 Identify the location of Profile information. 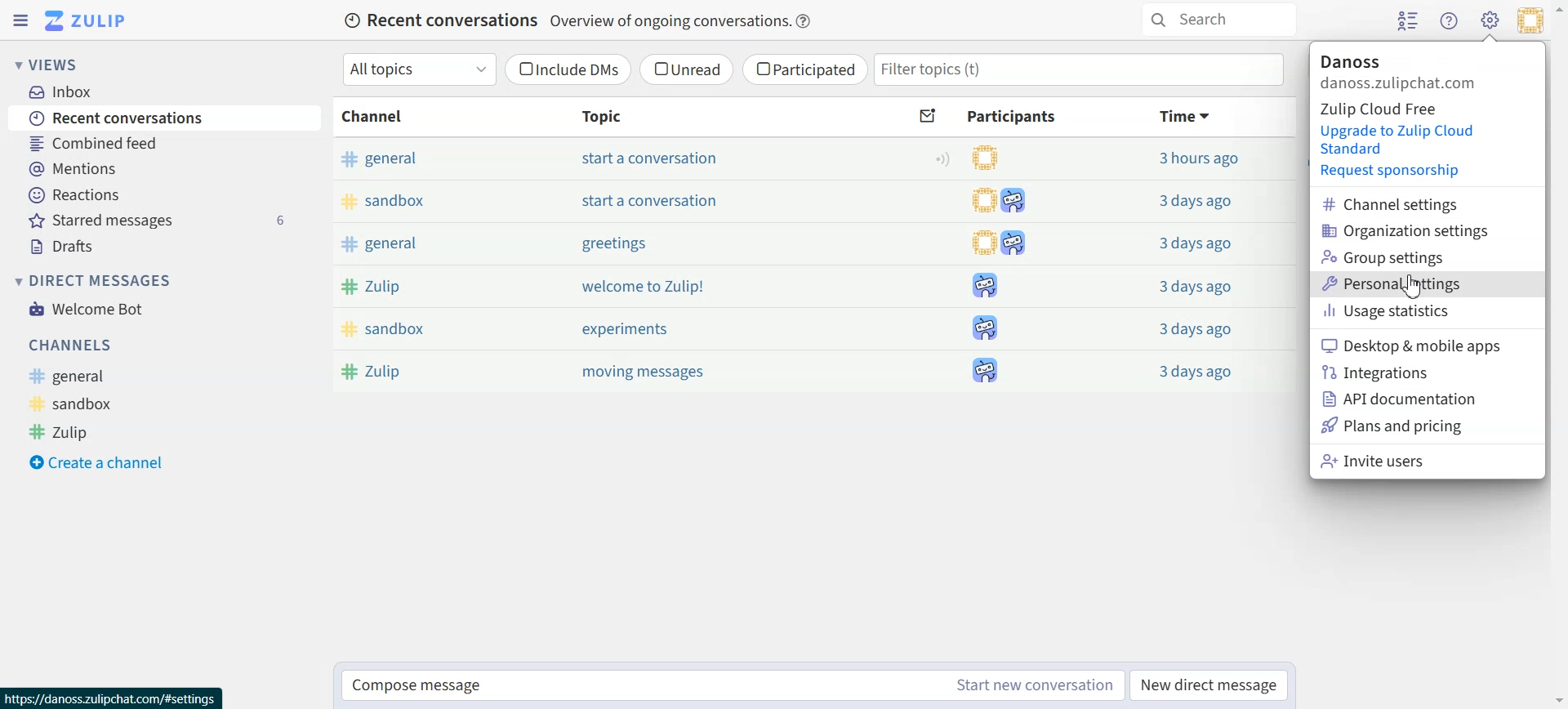
(1402, 73).